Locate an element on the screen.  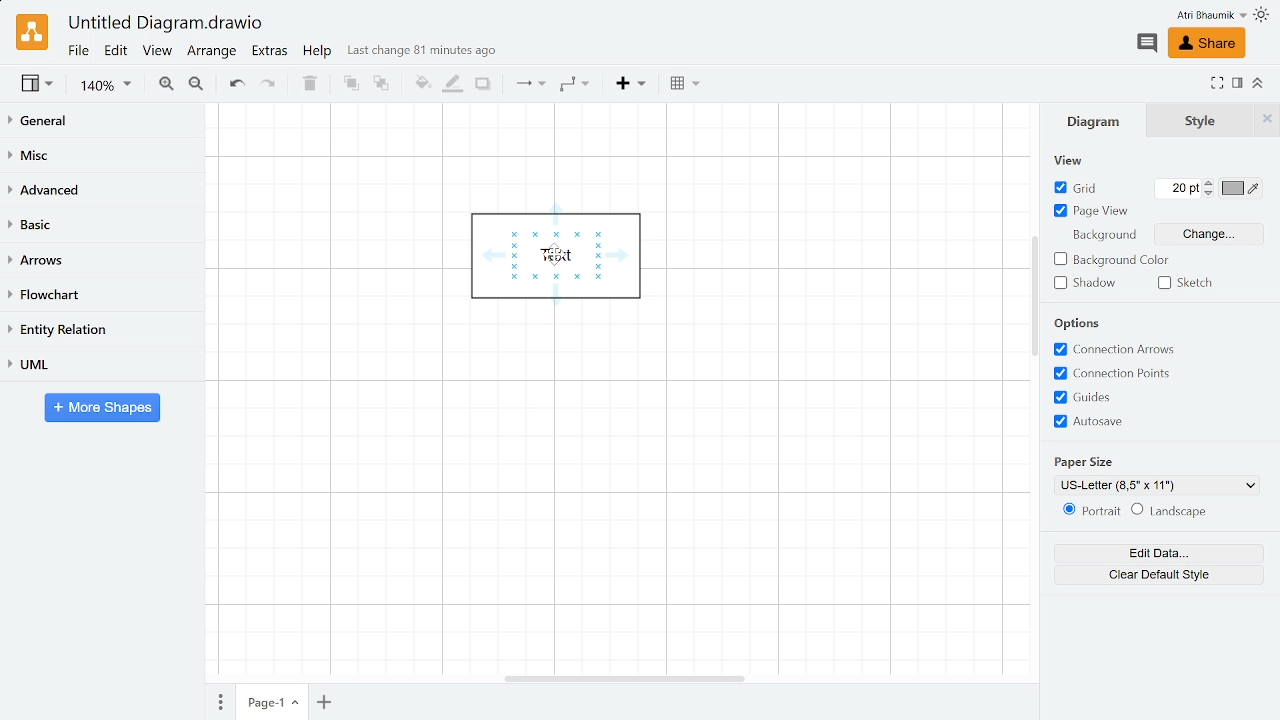
Connection points is located at coordinates (1124, 374).